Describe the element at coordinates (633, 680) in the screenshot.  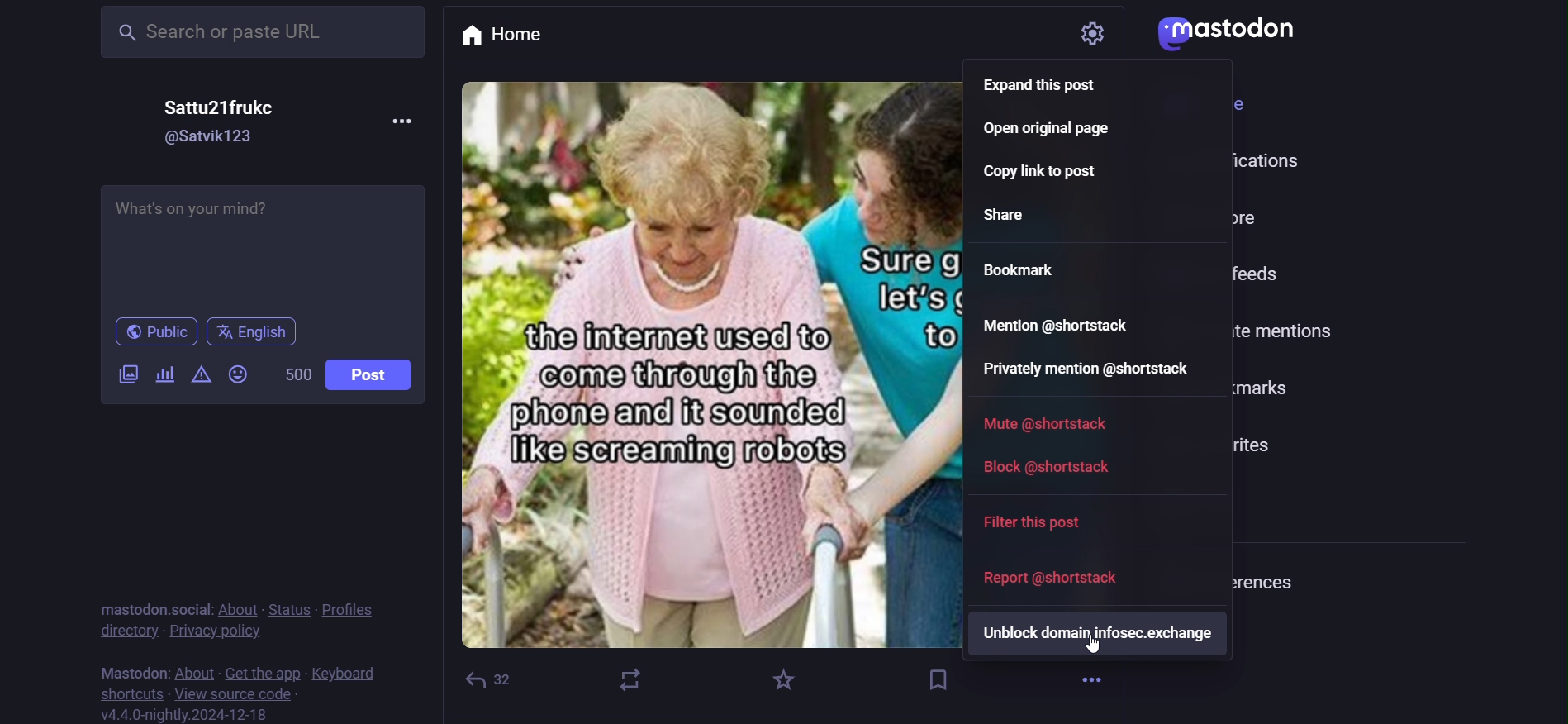
I see `boost` at that location.